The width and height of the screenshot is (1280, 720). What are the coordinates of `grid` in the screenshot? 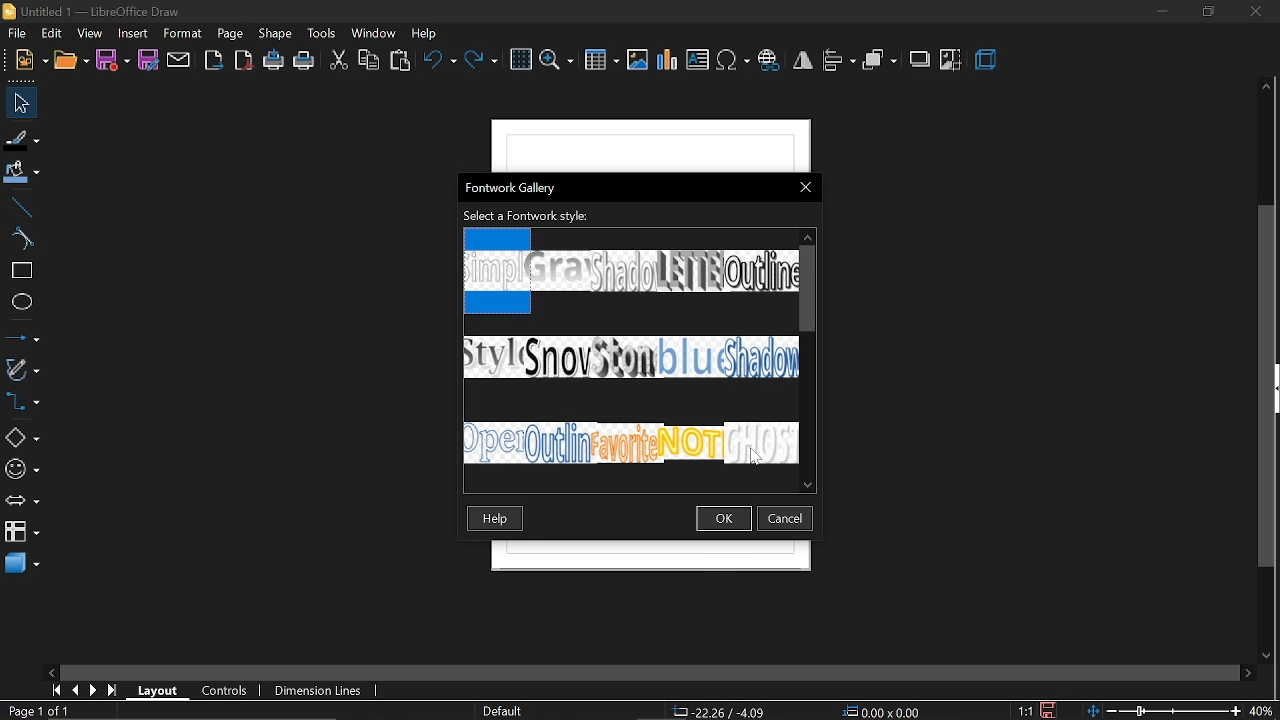 It's located at (521, 60).